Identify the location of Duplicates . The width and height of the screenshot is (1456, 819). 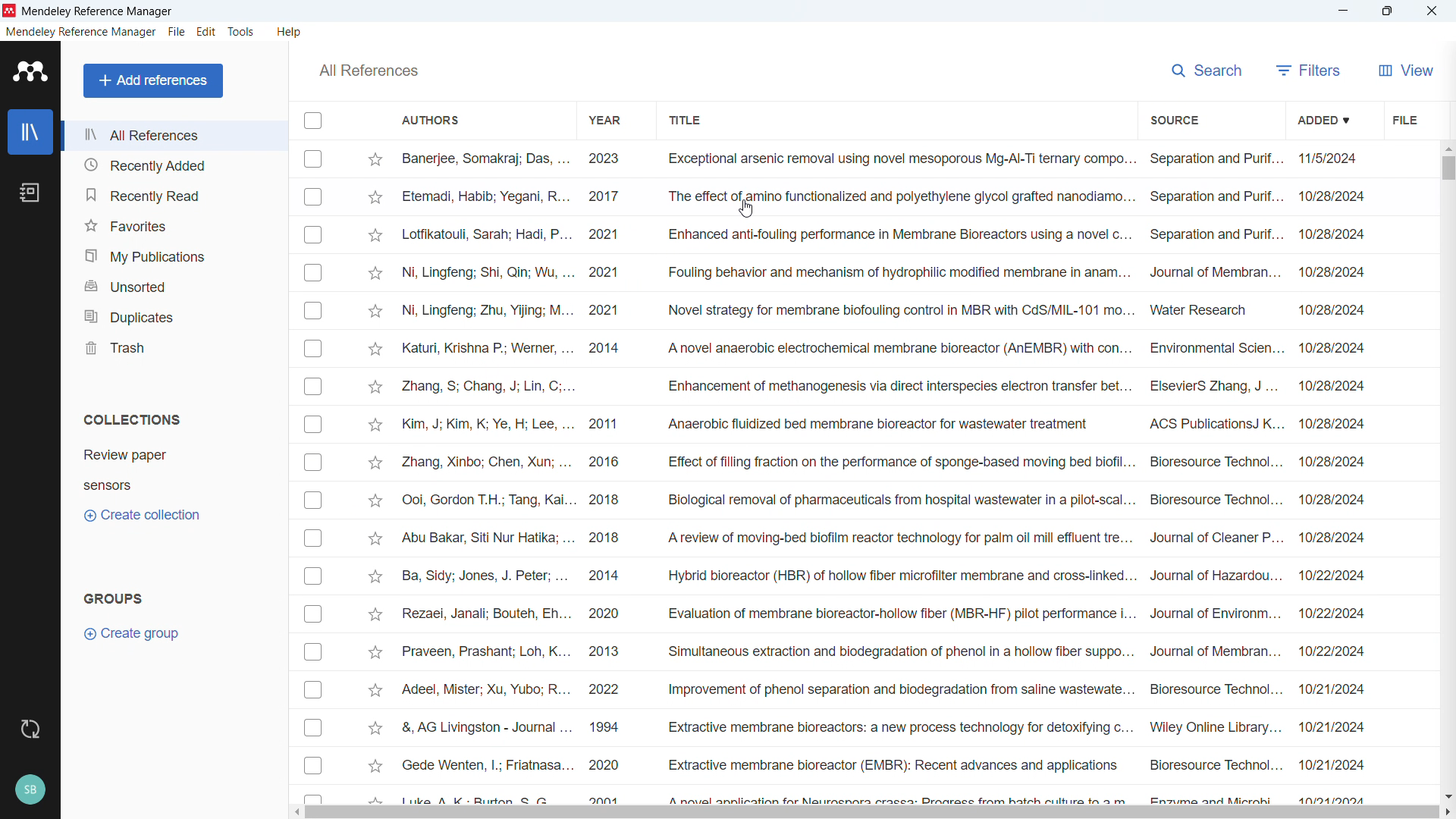
(172, 313).